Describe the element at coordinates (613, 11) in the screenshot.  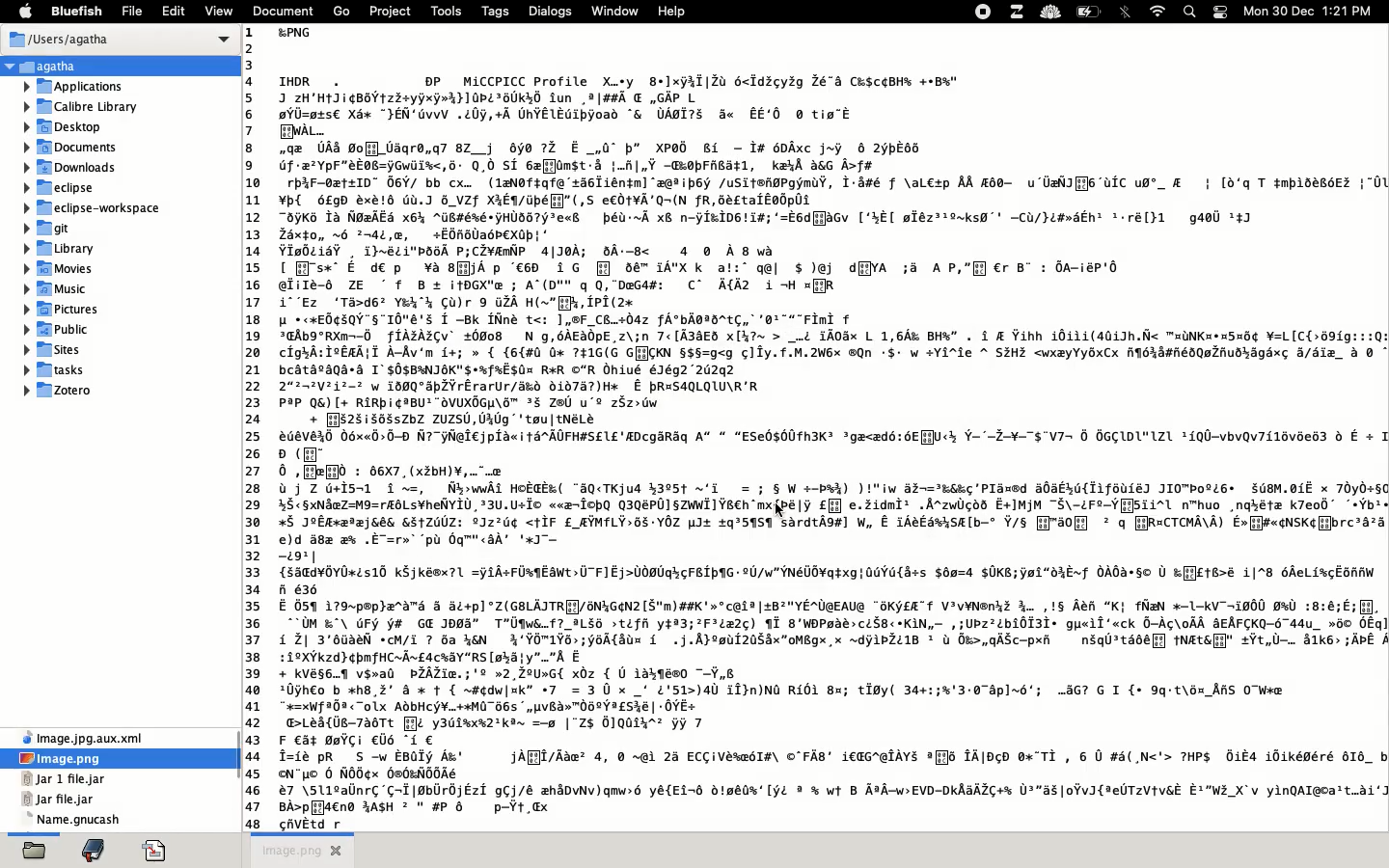
I see `window ` at that location.